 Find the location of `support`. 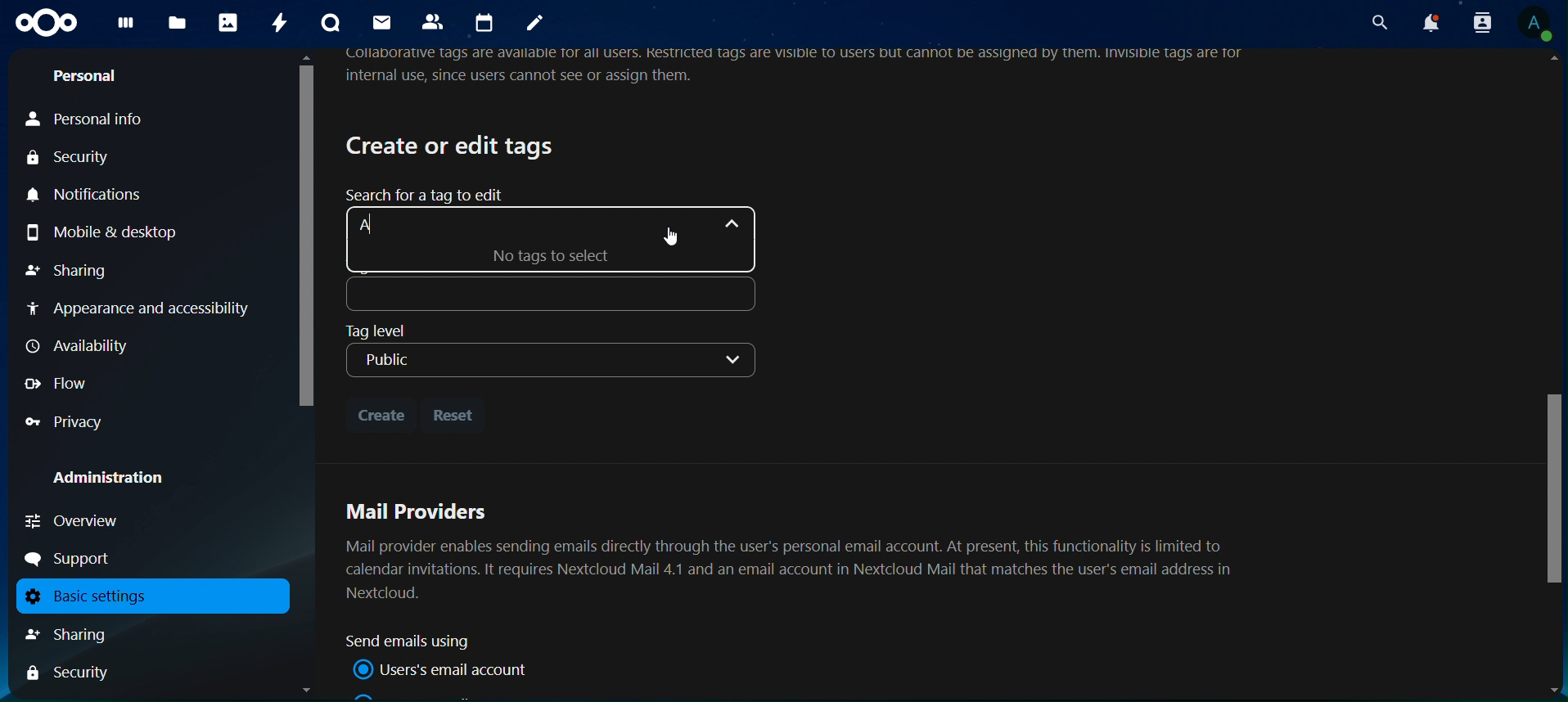

support is located at coordinates (74, 559).